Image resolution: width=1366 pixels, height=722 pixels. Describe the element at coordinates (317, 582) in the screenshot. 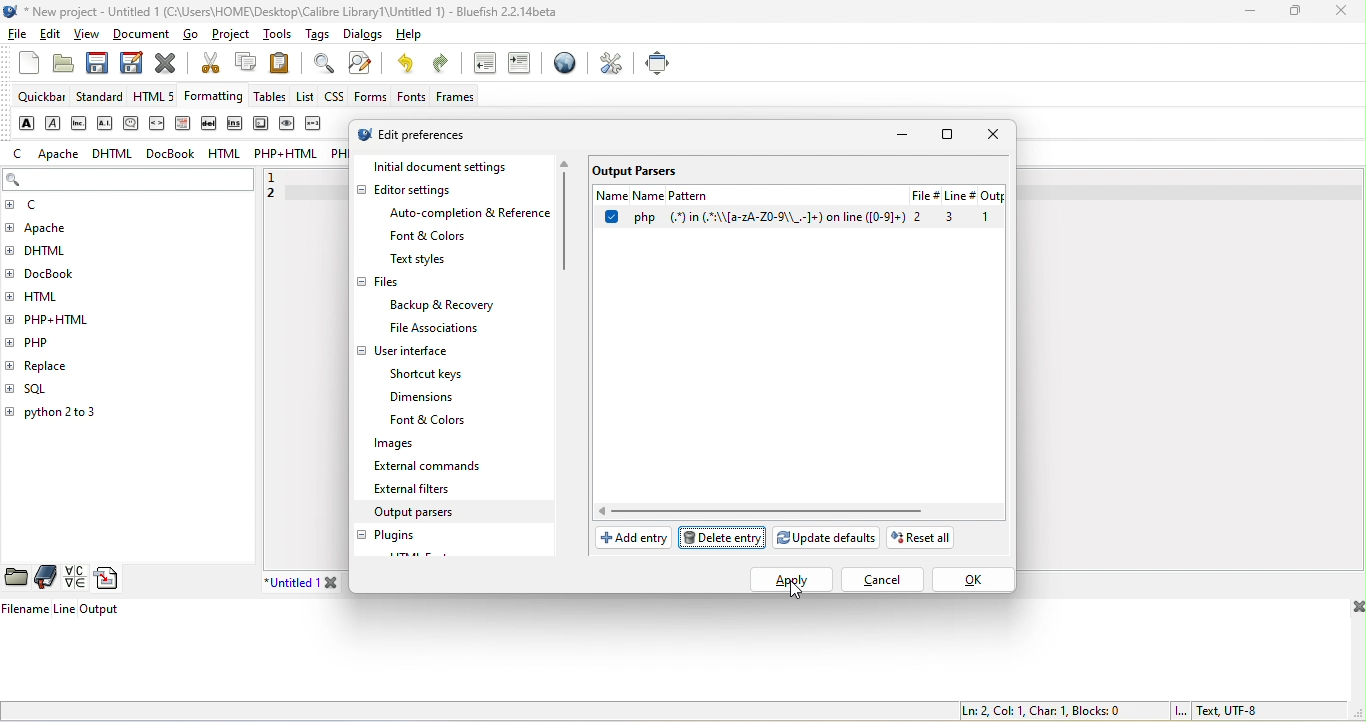

I see `untitled` at that location.